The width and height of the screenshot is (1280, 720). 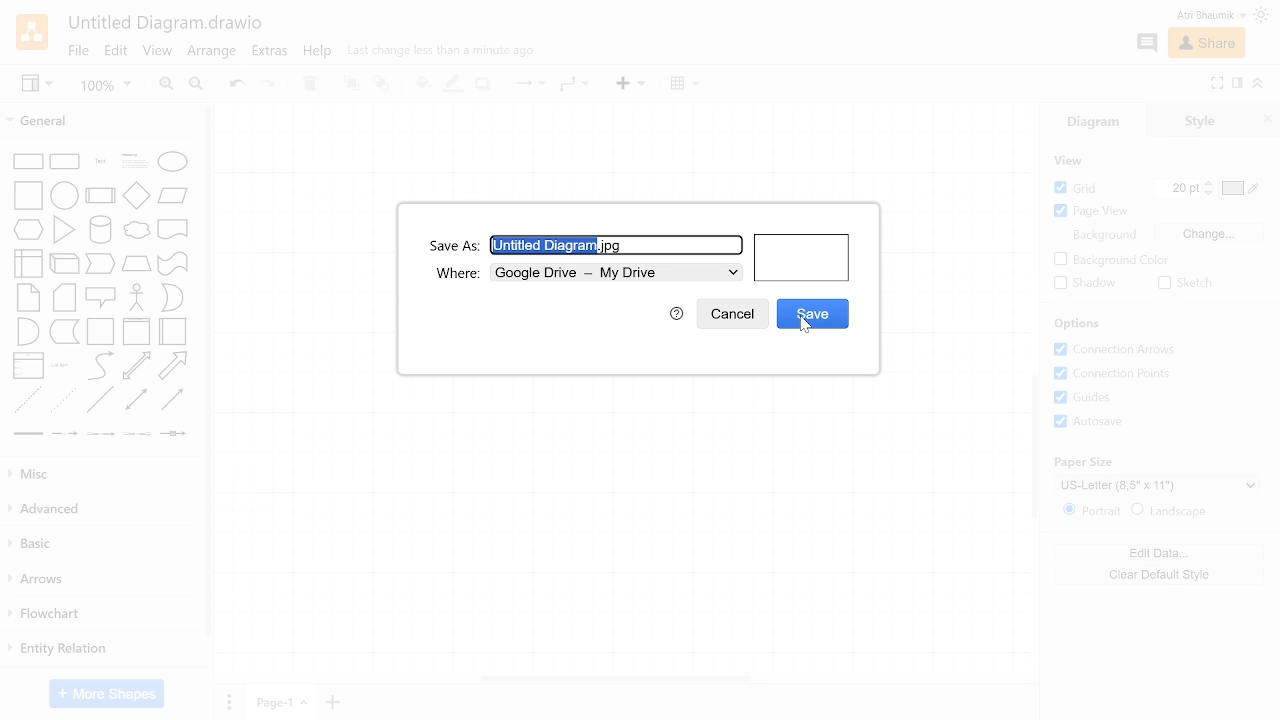 What do you see at coordinates (101, 509) in the screenshot?
I see `Advanced` at bounding box center [101, 509].